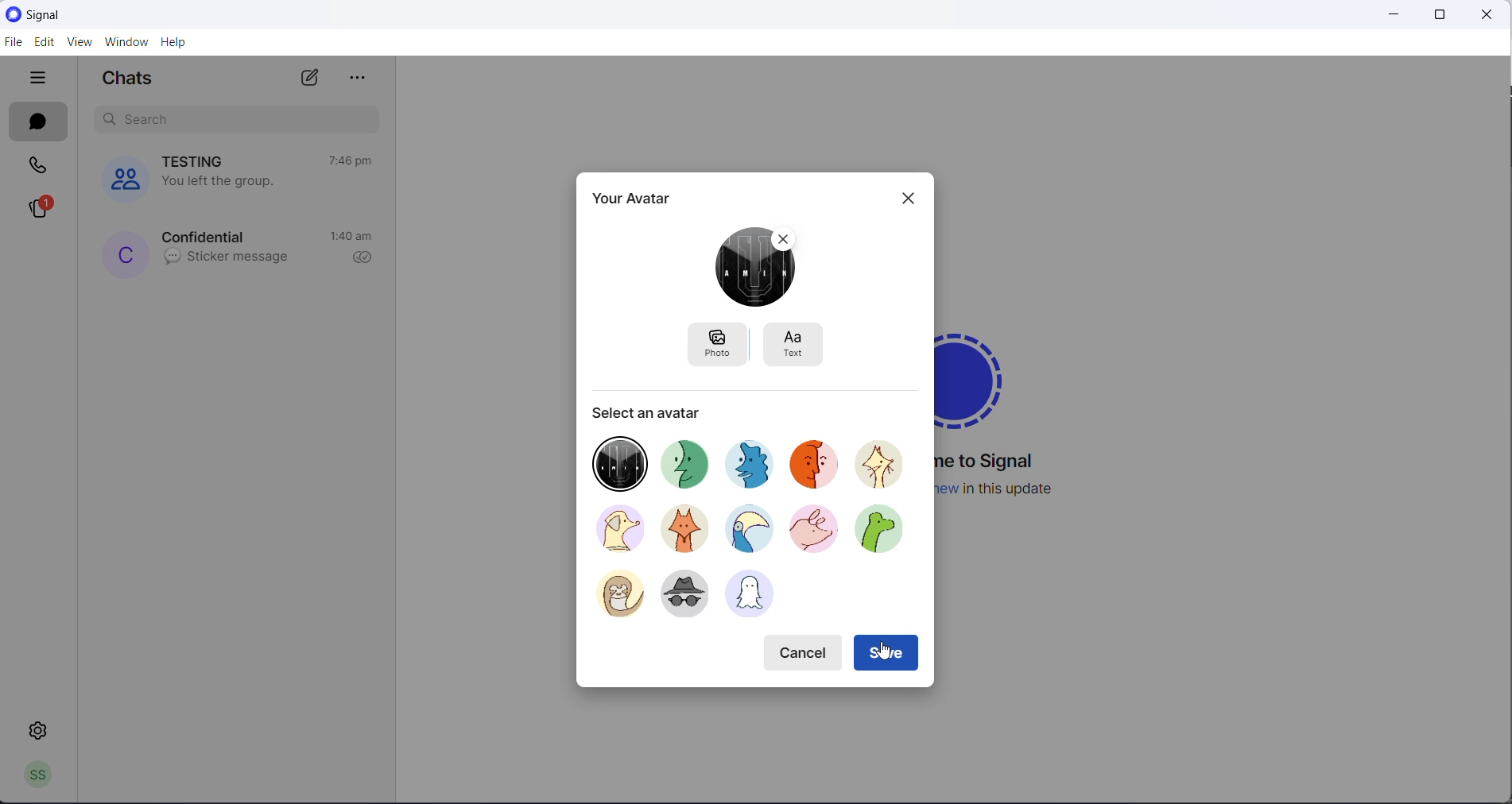 This screenshot has width=1512, height=804. I want to click on photos, so click(716, 342).